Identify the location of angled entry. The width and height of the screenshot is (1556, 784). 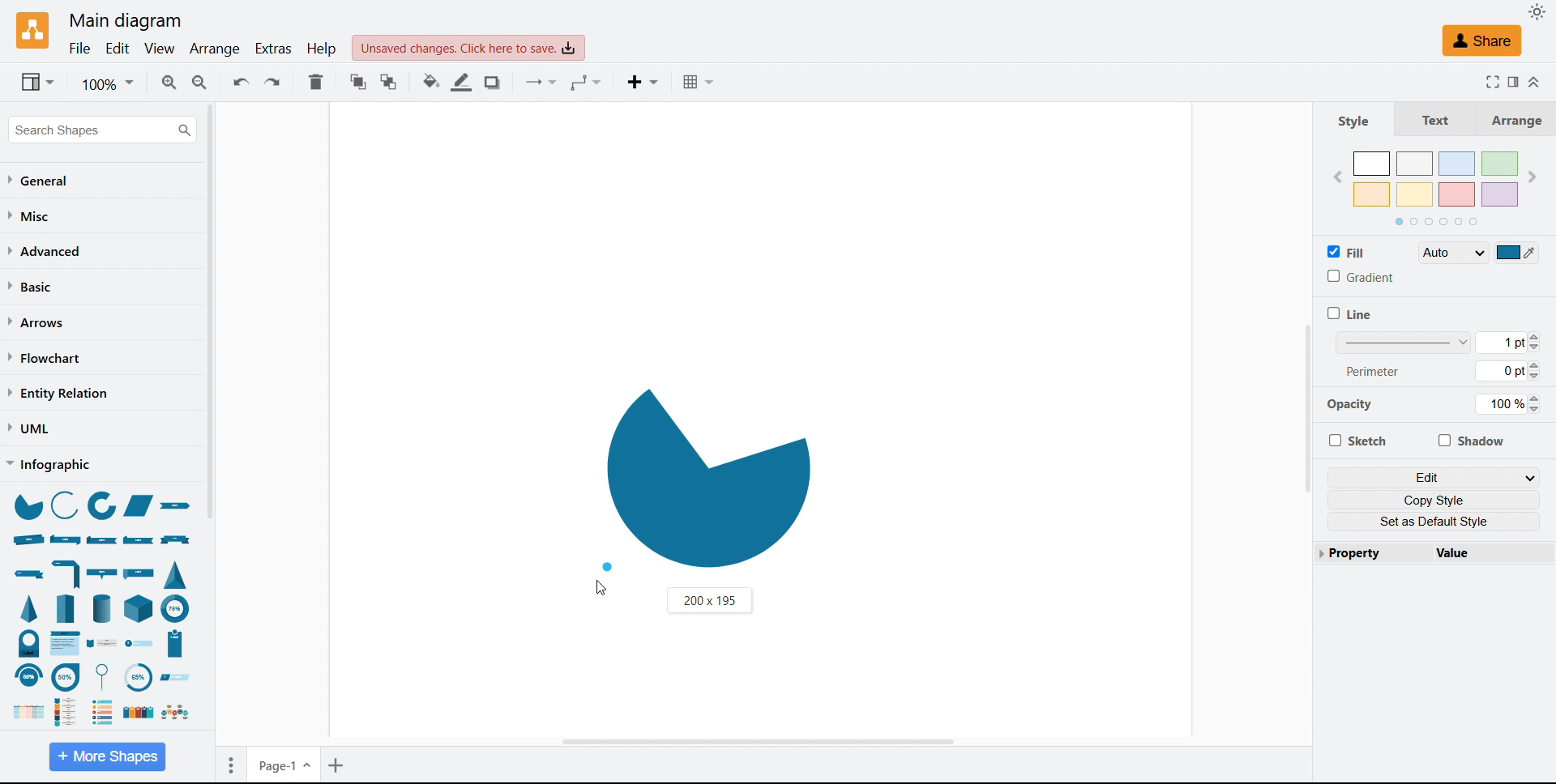
(175, 677).